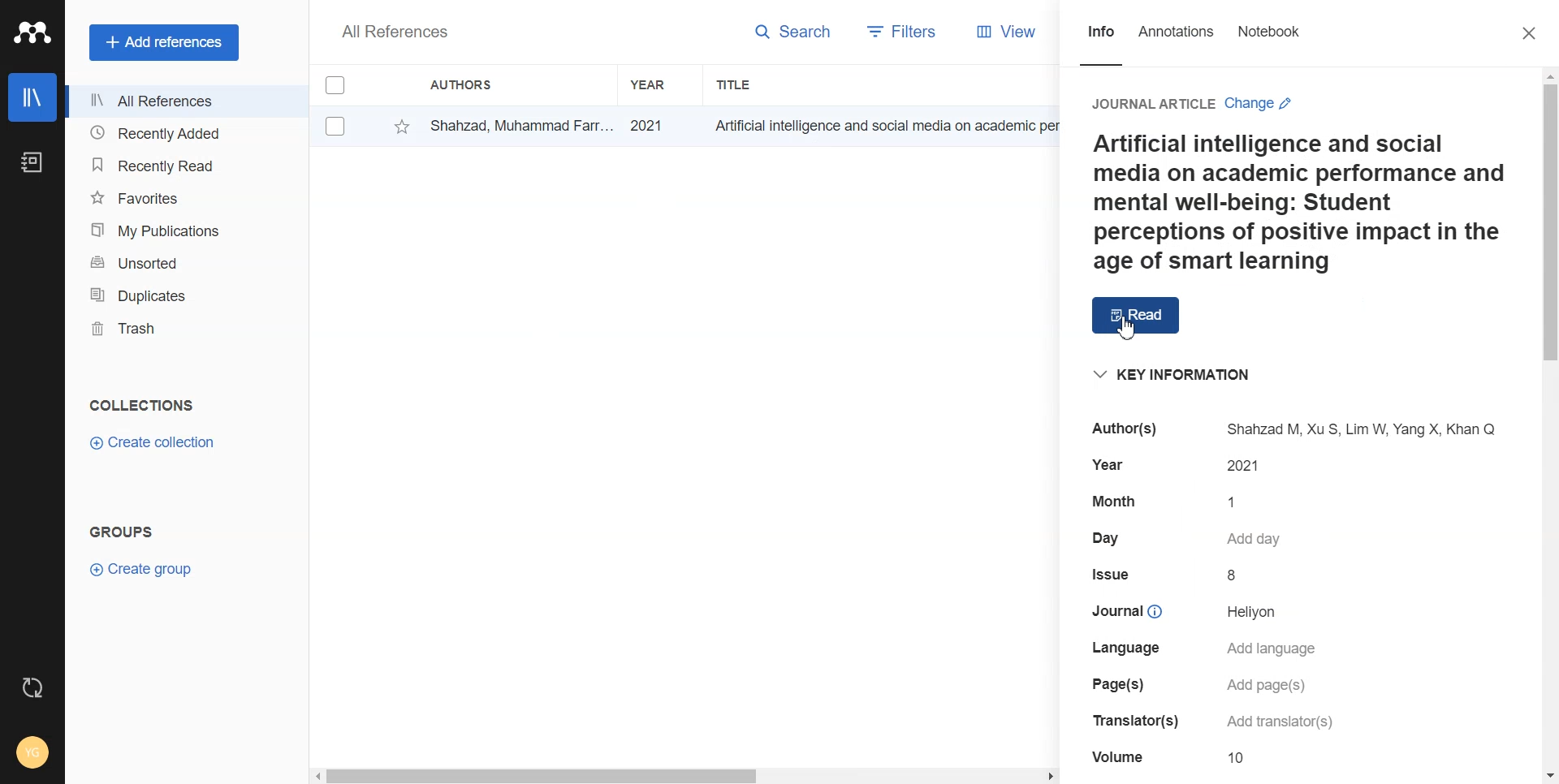  Describe the element at coordinates (31, 752) in the screenshot. I see `Account` at that location.